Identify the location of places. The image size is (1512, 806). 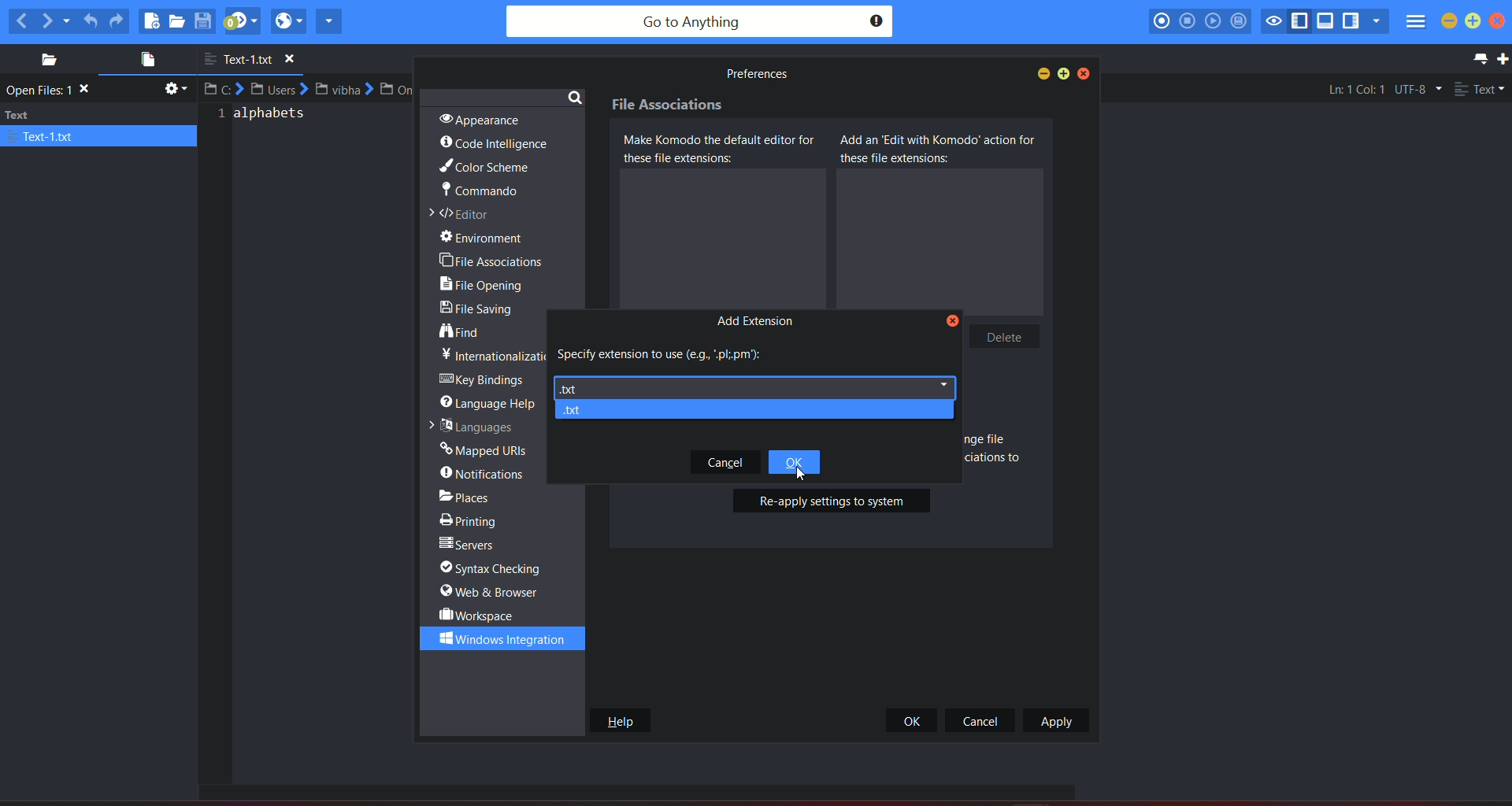
(43, 60).